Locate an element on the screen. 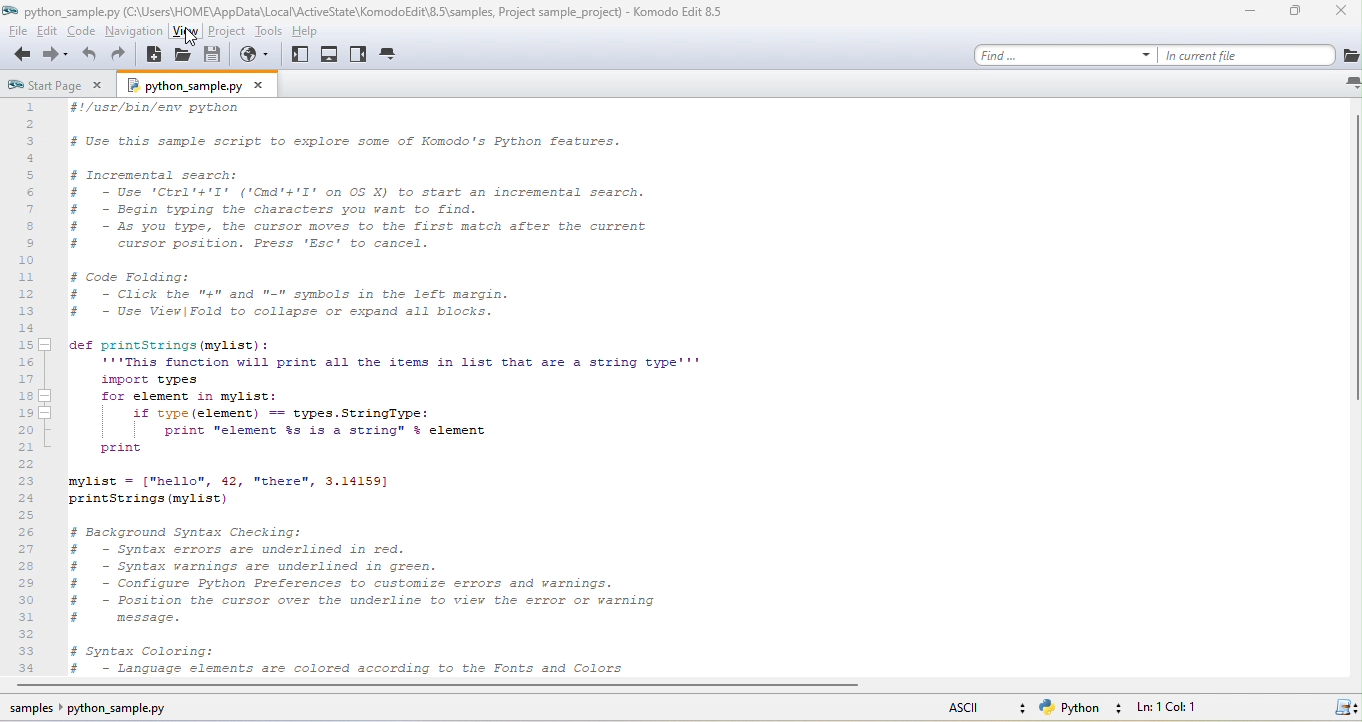 The height and width of the screenshot is (722, 1362). browser is located at coordinates (256, 59).